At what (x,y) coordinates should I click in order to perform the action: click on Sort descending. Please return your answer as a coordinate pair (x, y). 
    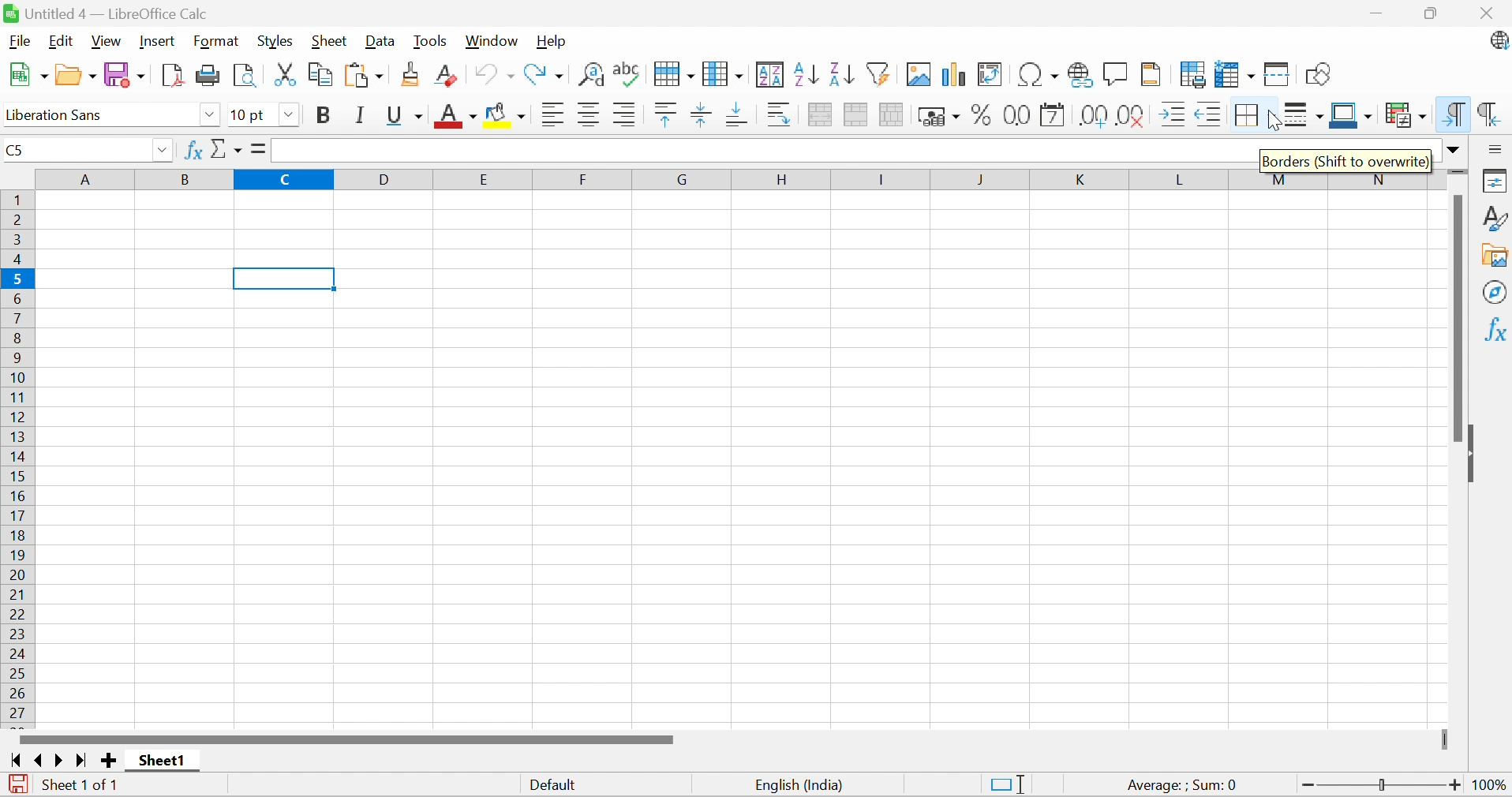
    Looking at the image, I should click on (841, 73).